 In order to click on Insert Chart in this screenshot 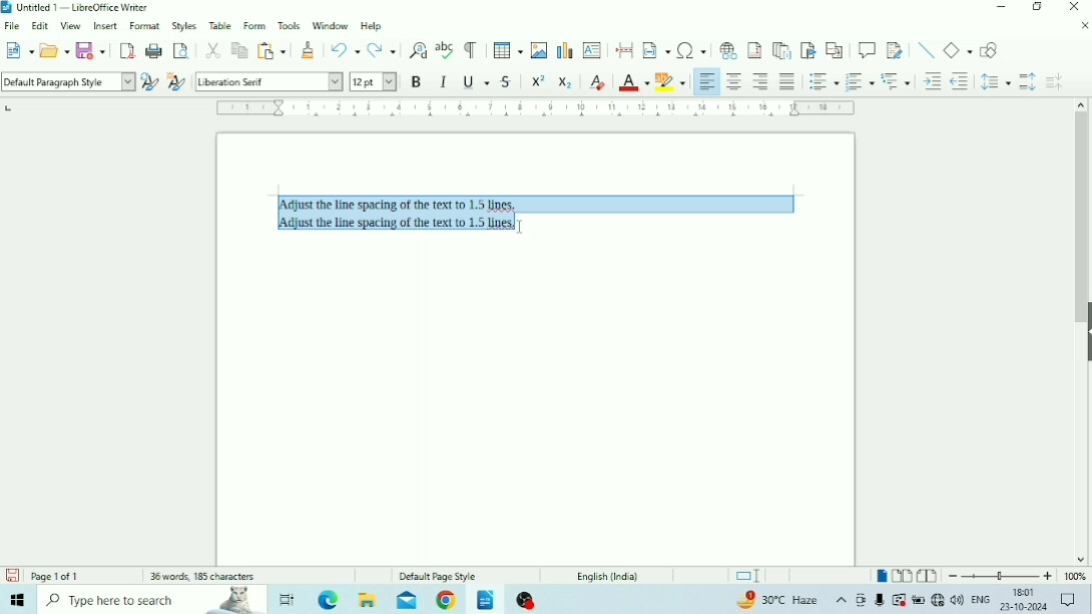, I will do `click(565, 49)`.